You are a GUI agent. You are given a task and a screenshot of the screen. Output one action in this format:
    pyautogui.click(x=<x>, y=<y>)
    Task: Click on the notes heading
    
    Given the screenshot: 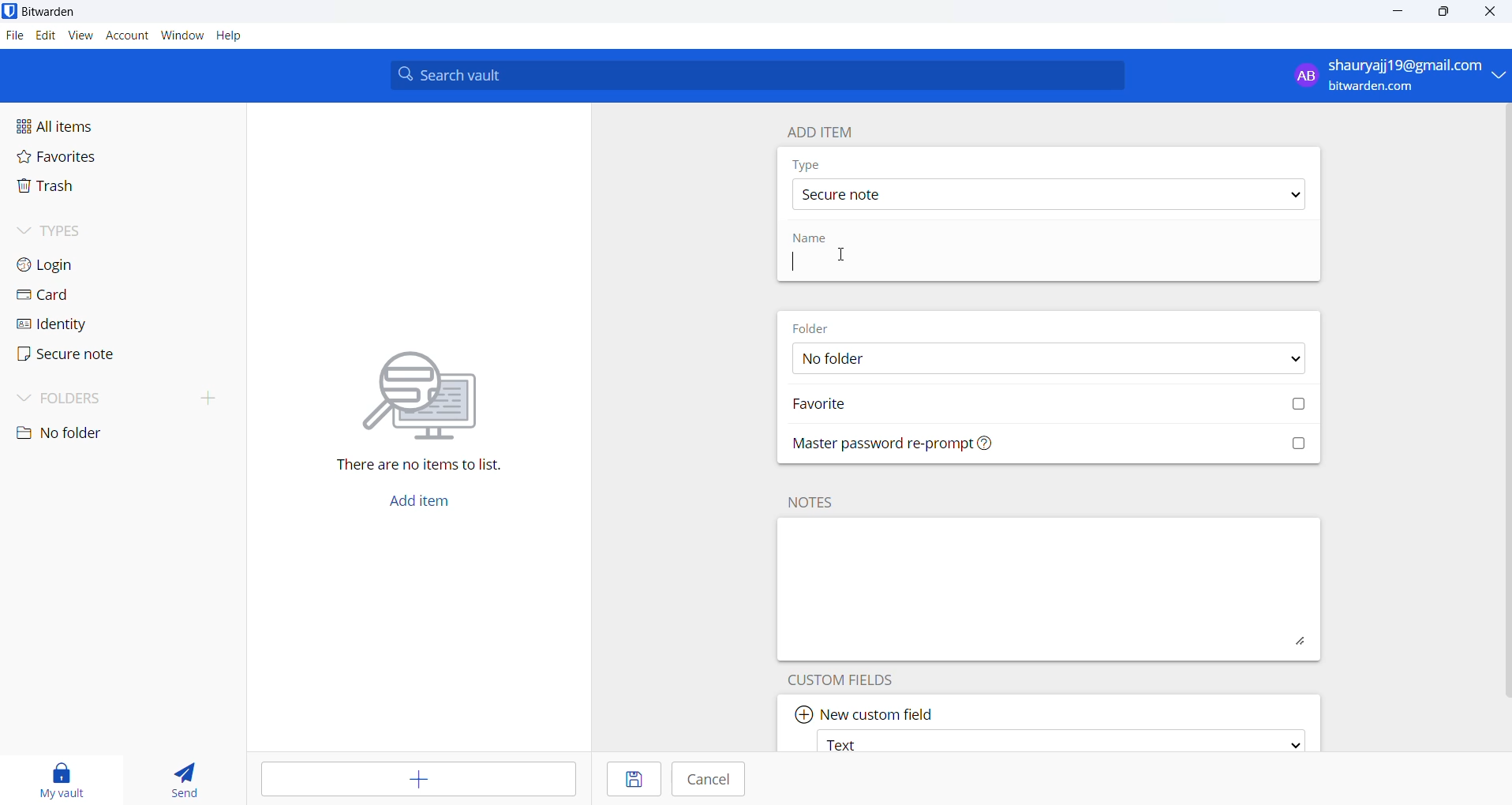 What is the action you would take?
    pyautogui.click(x=814, y=502)
    